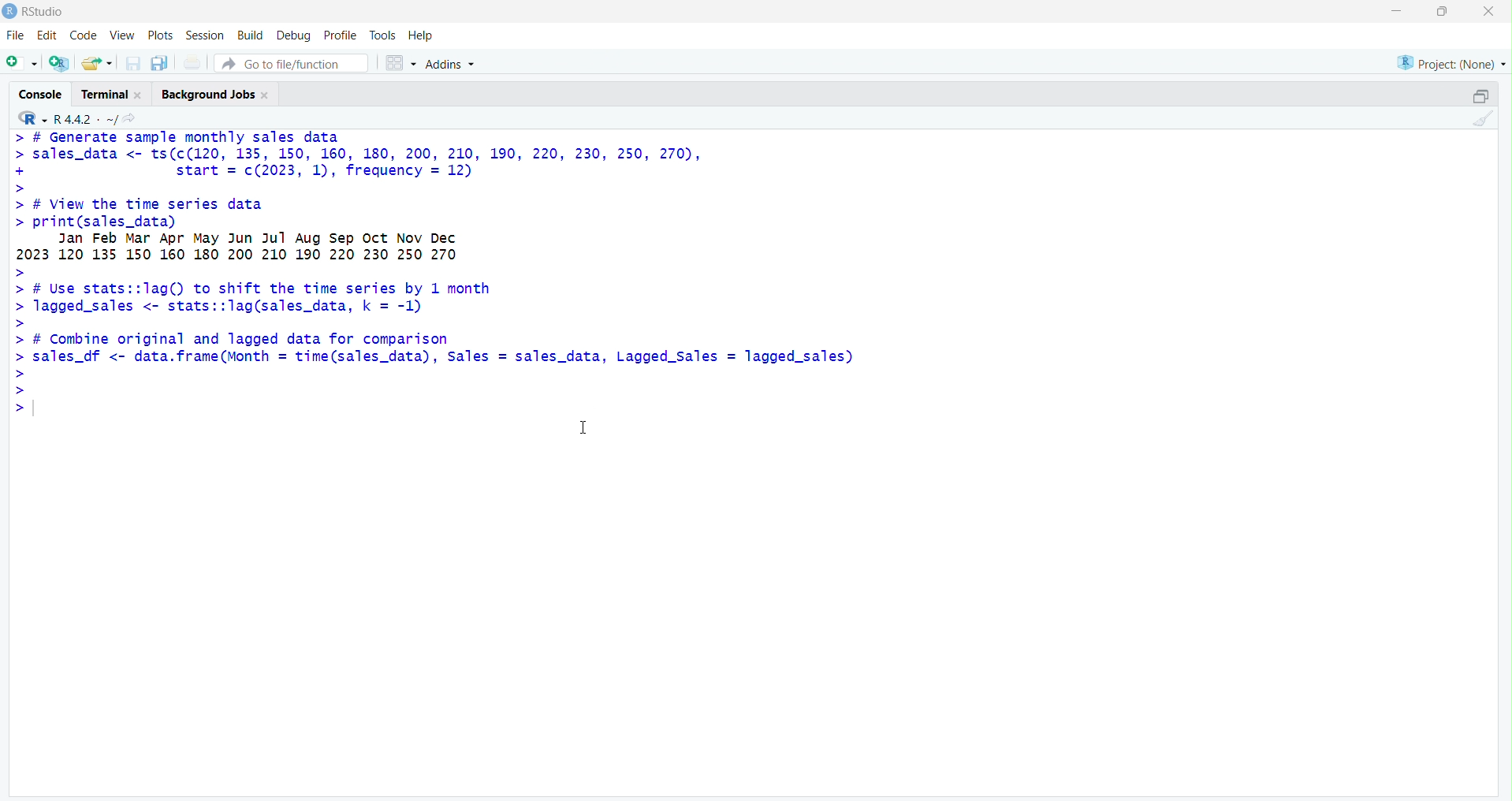  Describe the element at coordinates (584, 430) in the screenshot. I see `cursor` at that location.